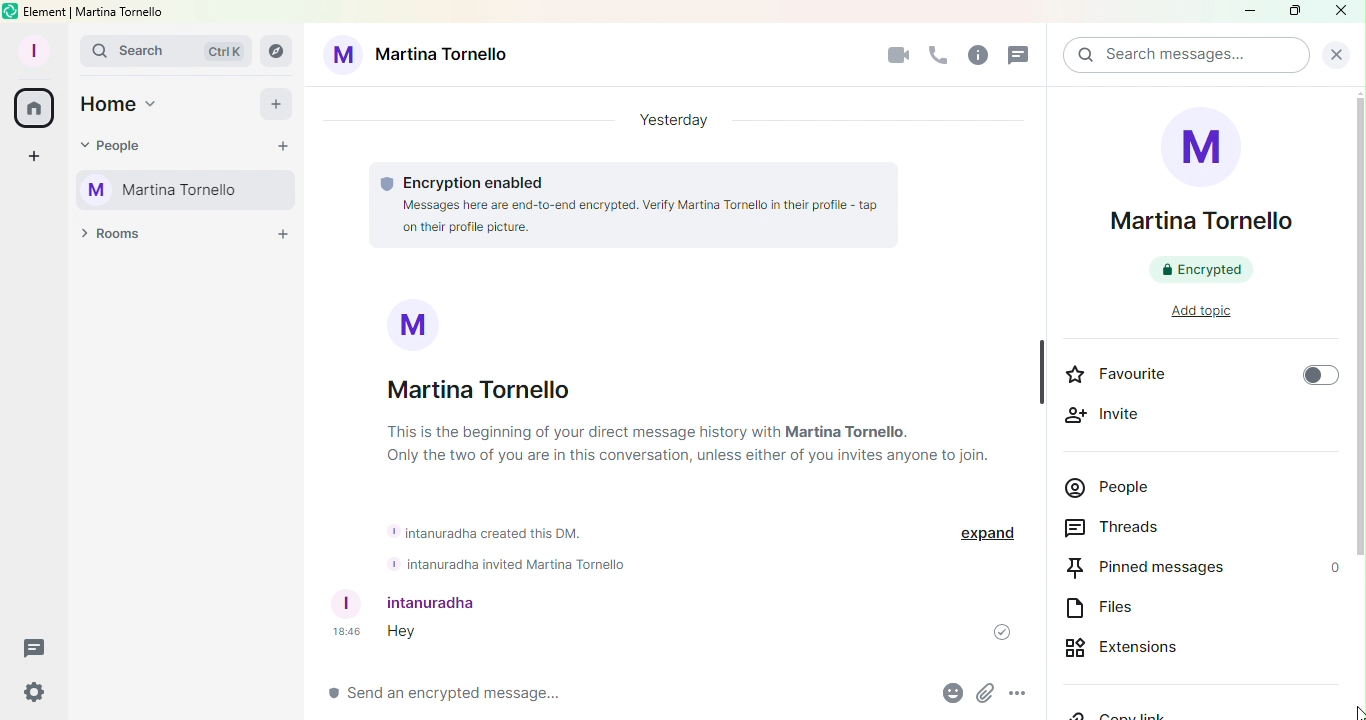  What do you see at coordinates (180, 187) in the screenshot?
I see `Martina Tornello` at bounding box center [180, 187].